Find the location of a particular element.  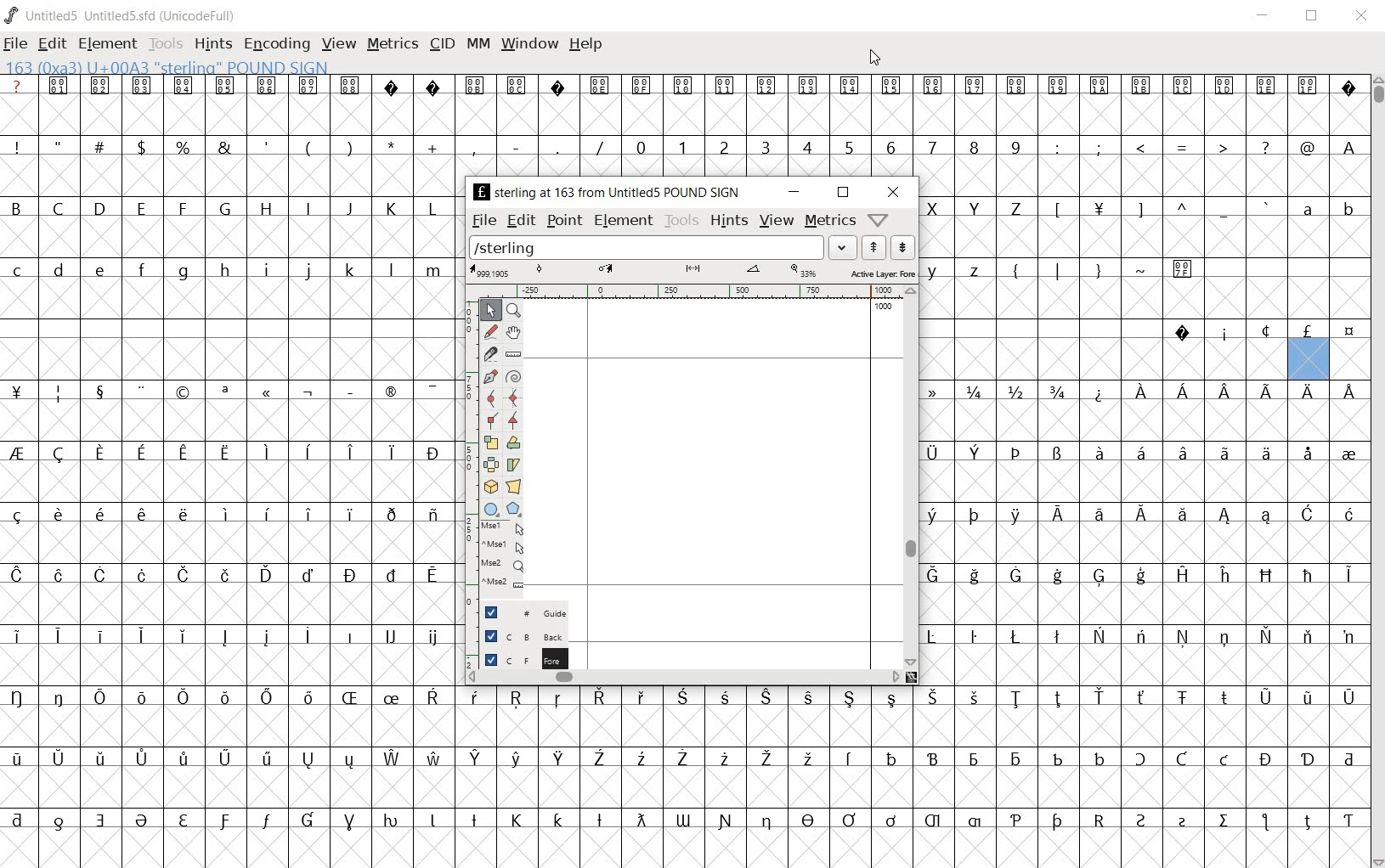

Symbol is located at coordinates (1058, 699).